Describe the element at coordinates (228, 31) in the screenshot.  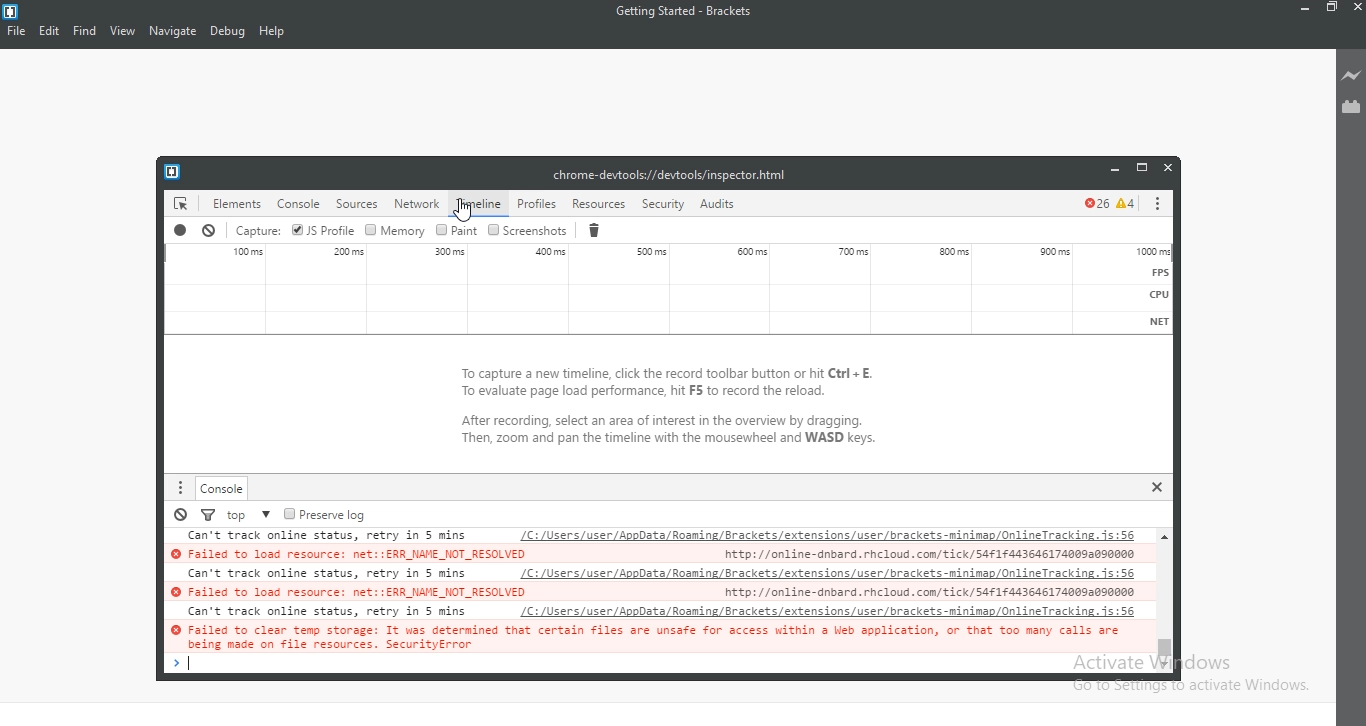
I see `Debug` at that location.